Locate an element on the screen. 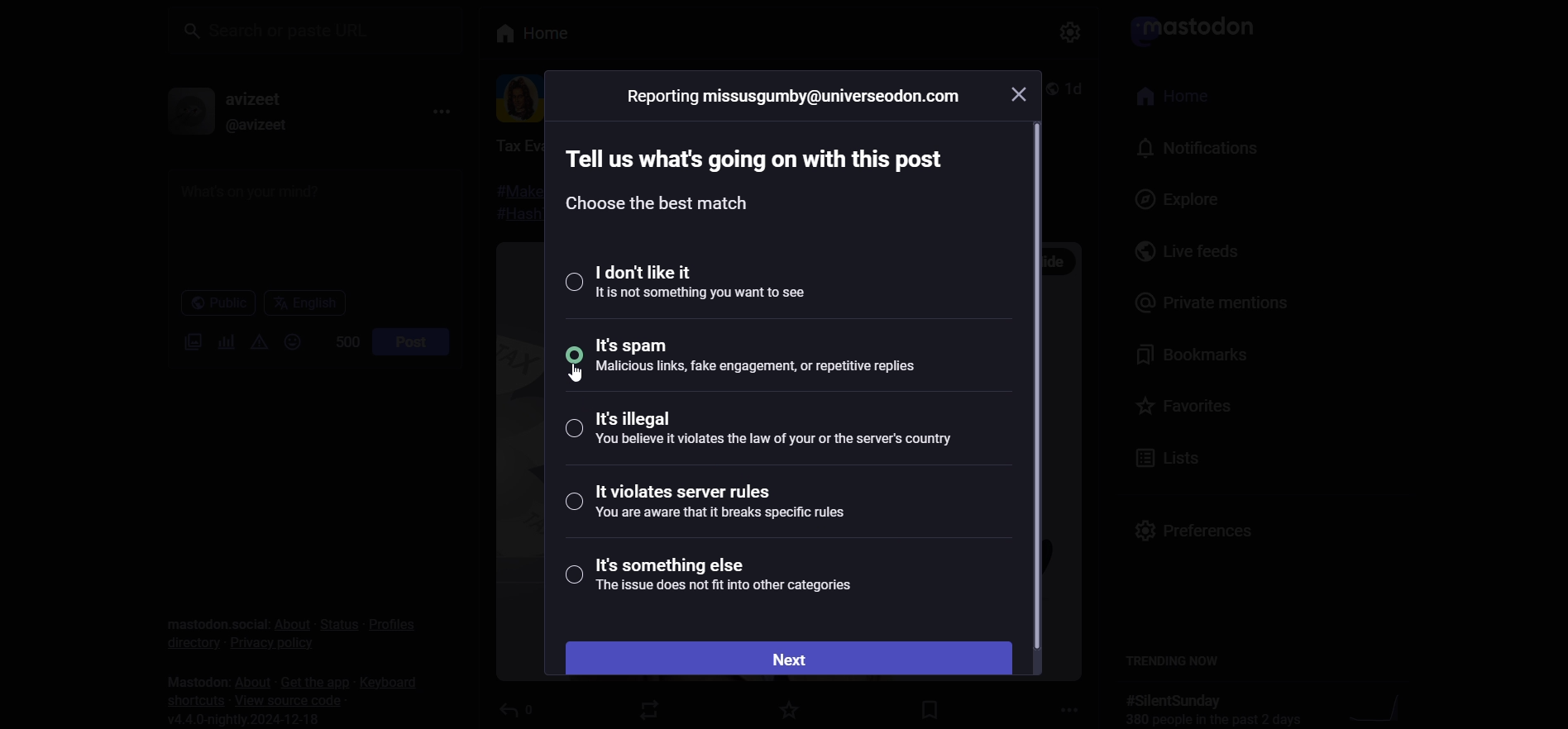 This screenshot has width=1568, height=729. something else is located at coordinates (710, 579).